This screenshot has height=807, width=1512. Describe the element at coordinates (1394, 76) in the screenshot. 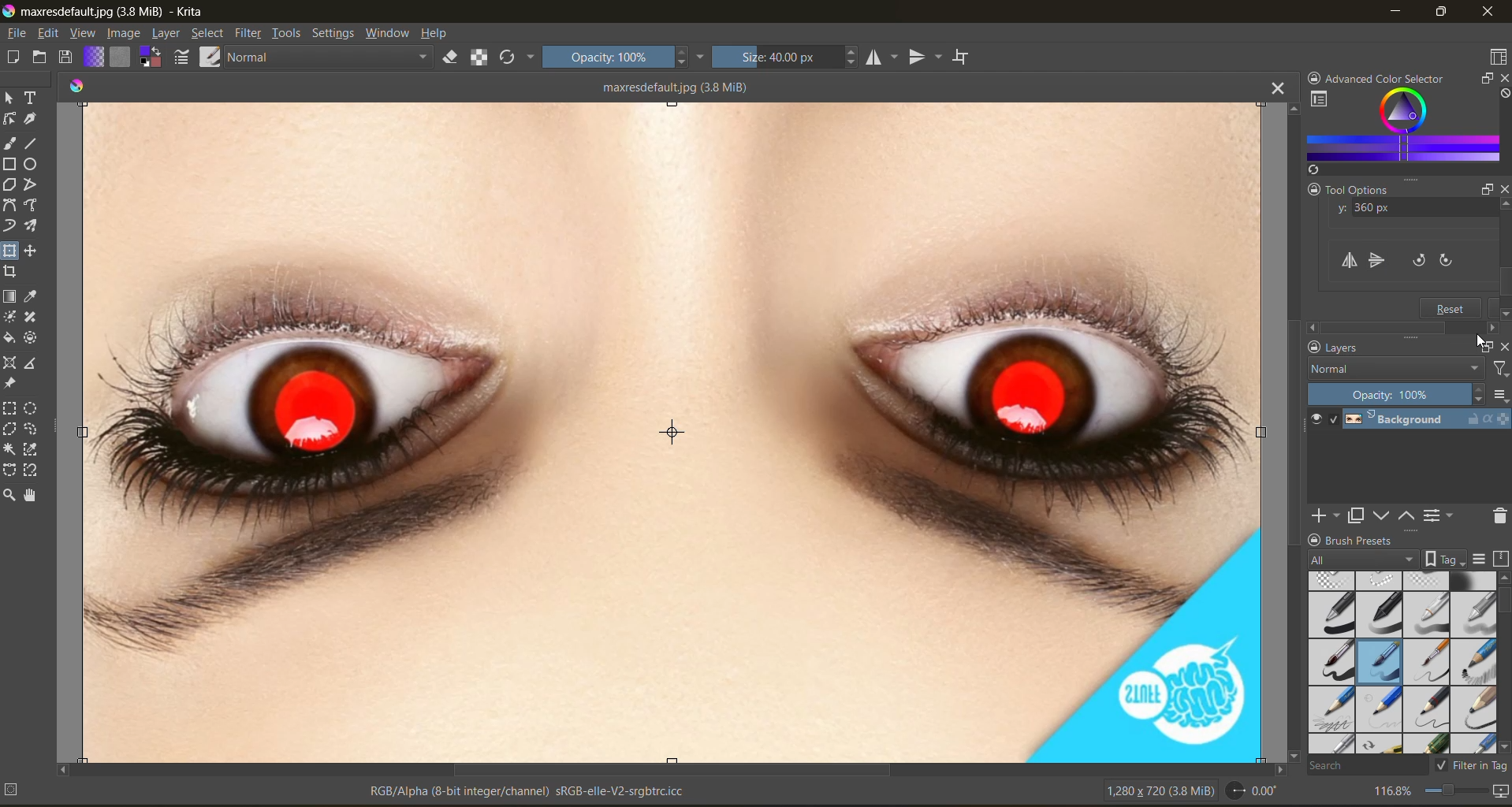

I see `Advanced color selector` at that location.